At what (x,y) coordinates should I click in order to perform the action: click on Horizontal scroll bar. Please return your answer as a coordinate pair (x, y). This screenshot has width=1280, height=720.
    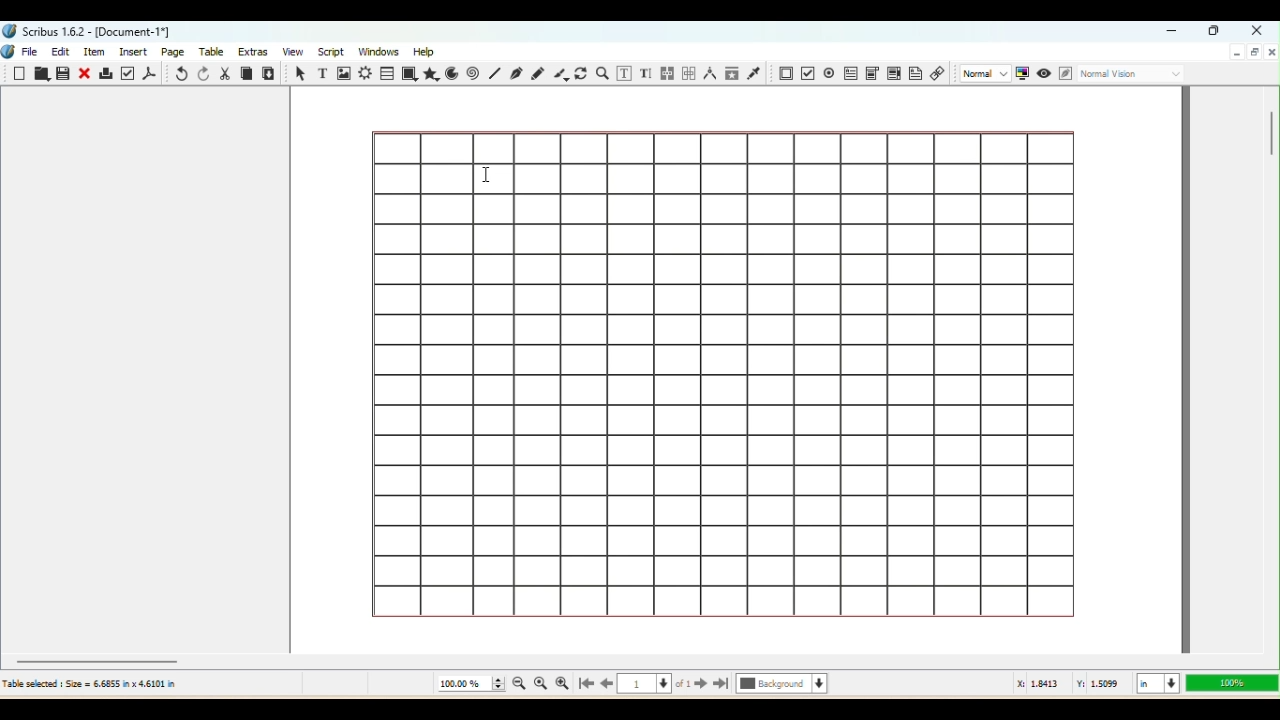
    Looking at the image, I should click on (639, 660).